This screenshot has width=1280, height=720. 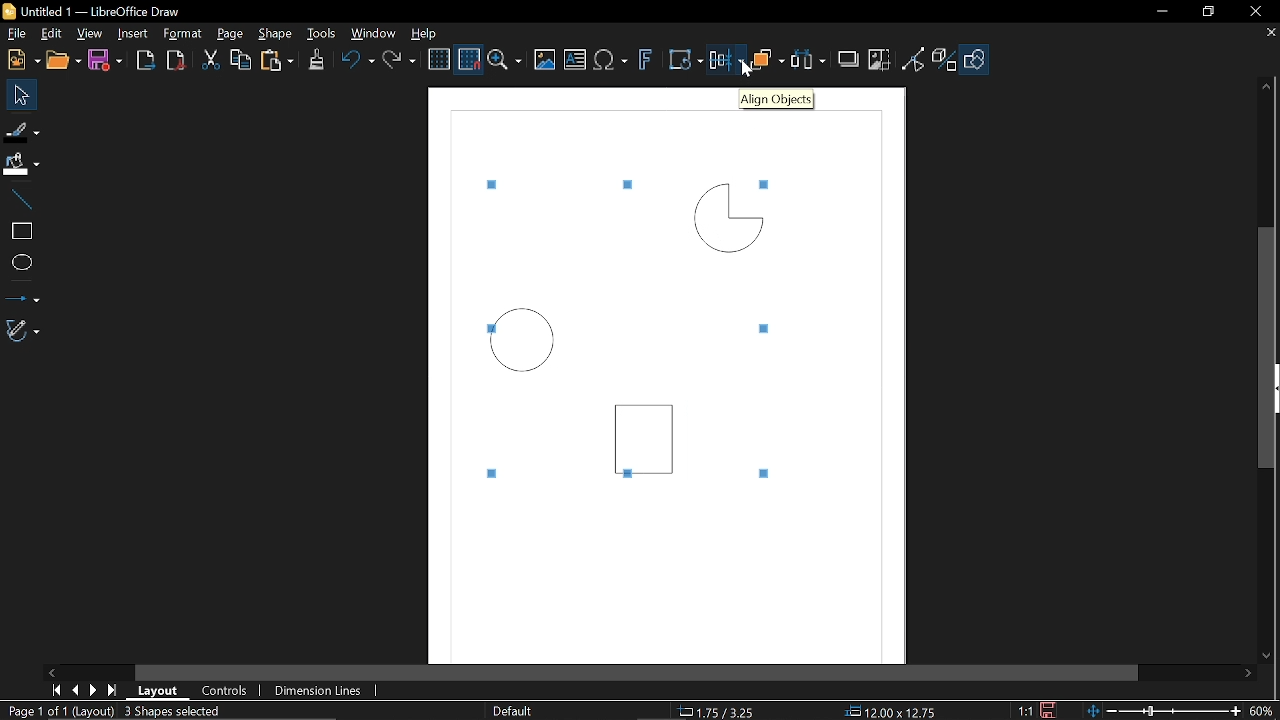 What do you see at coordinates (768, 182) in the screenshot?
I see `Tiny squares sound selected objects` at bounding box center [768, 182].